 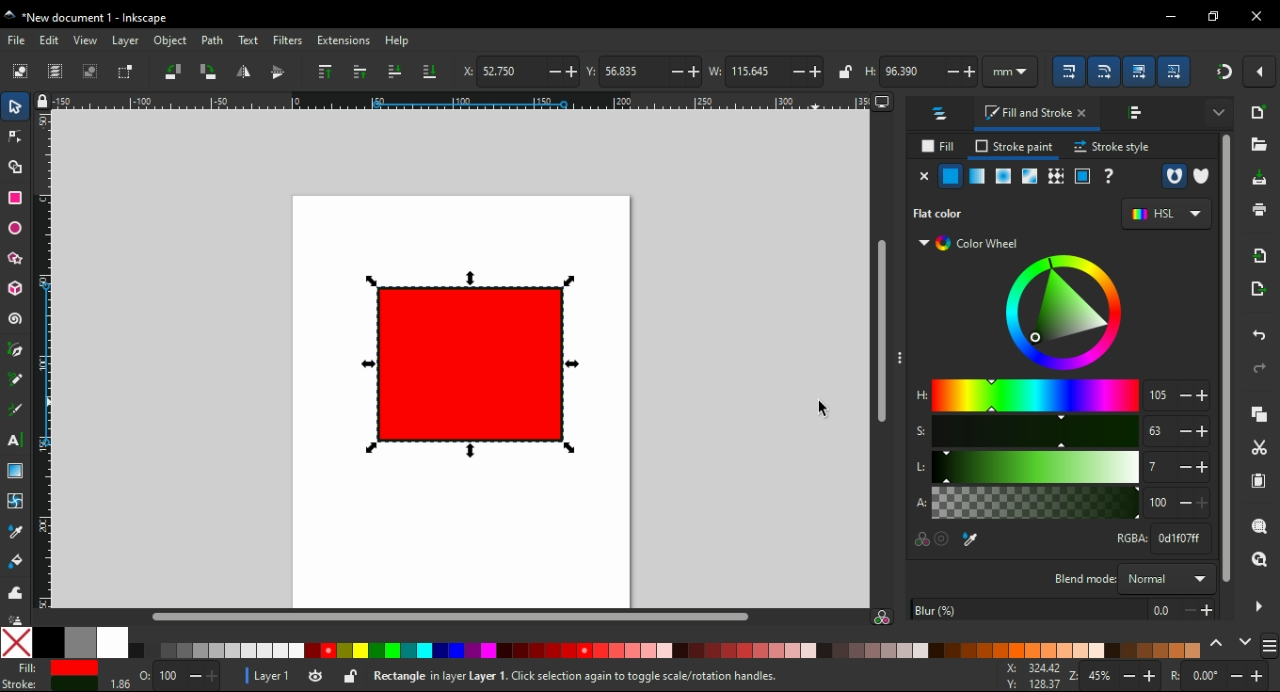 What do you see at coordinates (173, 41) in the screenshot?
I see `object` at bounding box center [173, 41].